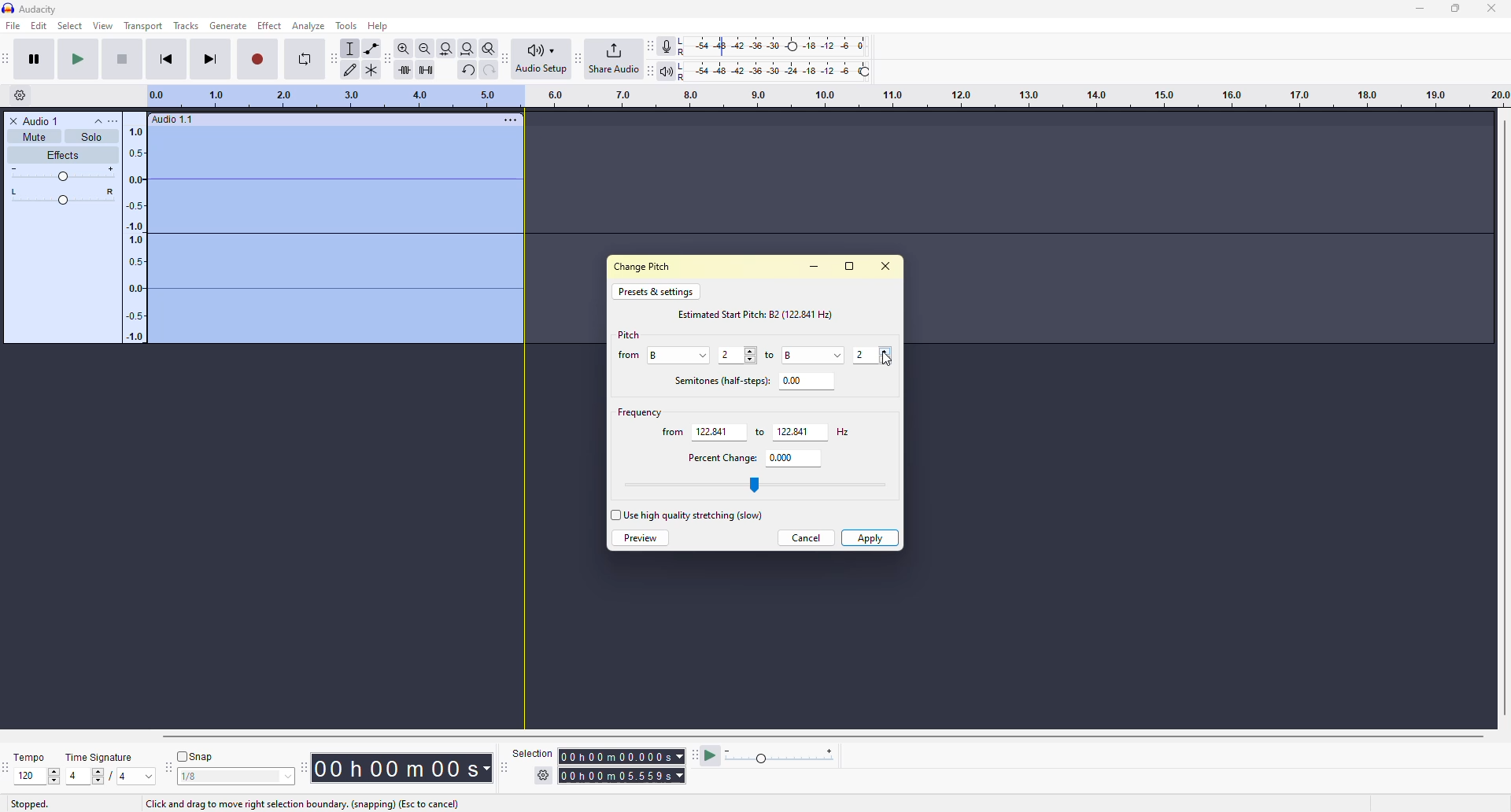  What do you see at coordinates (400, 49) in the screenshot?
I see `zoom in` at bounding box center [400, 49].